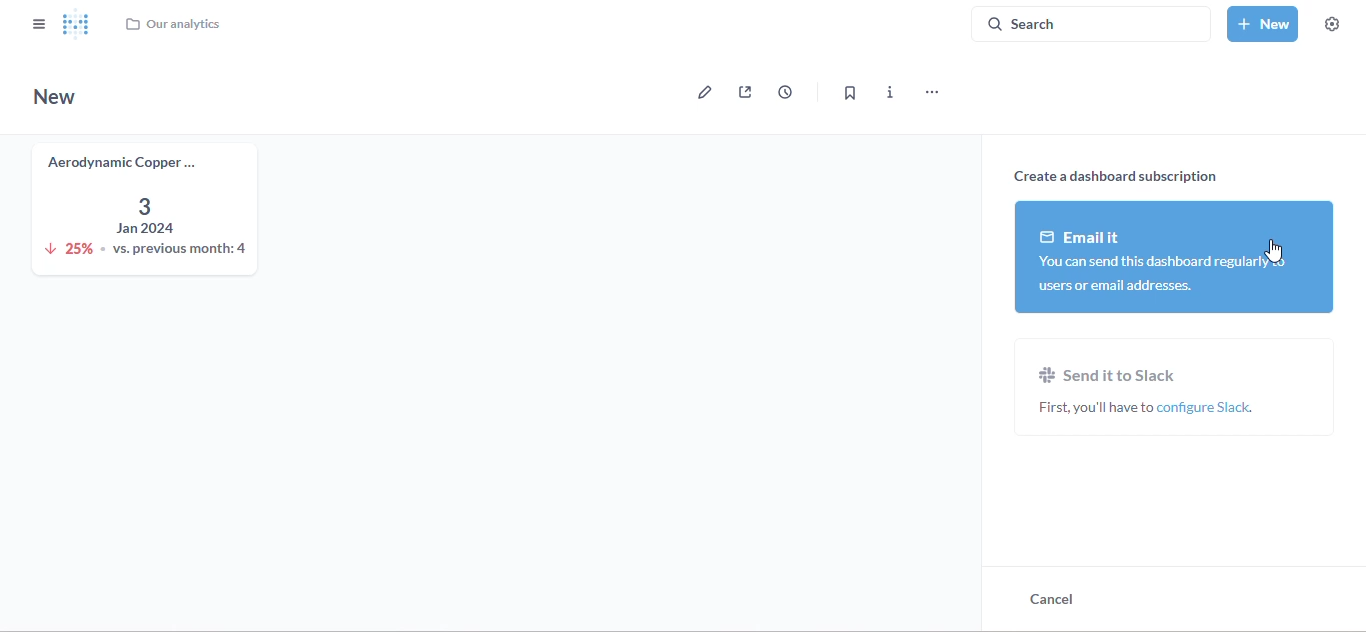  I want to click on send it to slack, so click(1177, 387).